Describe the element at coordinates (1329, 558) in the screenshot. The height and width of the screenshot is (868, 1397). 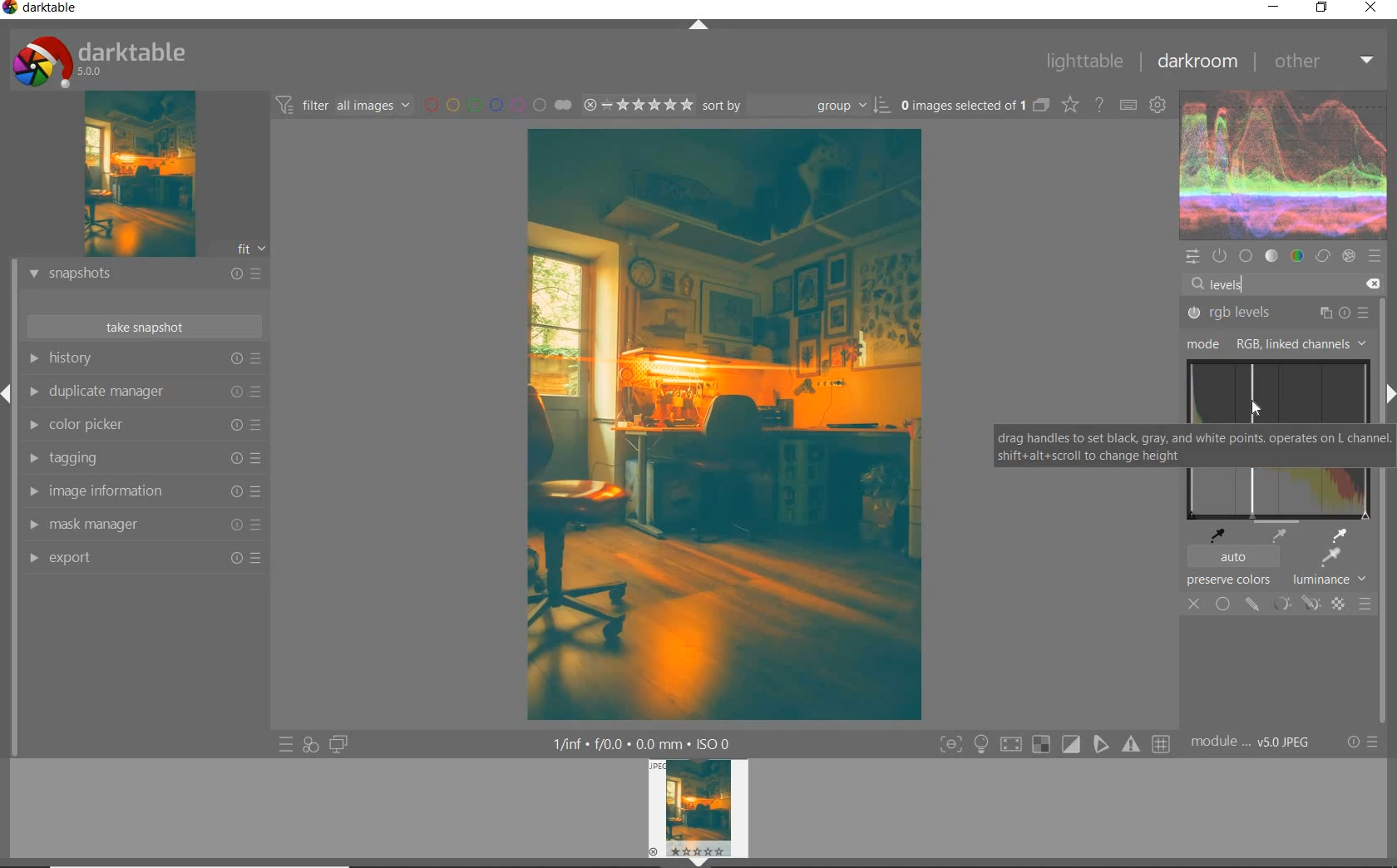
I see `apply auto levels based on region` at that location.